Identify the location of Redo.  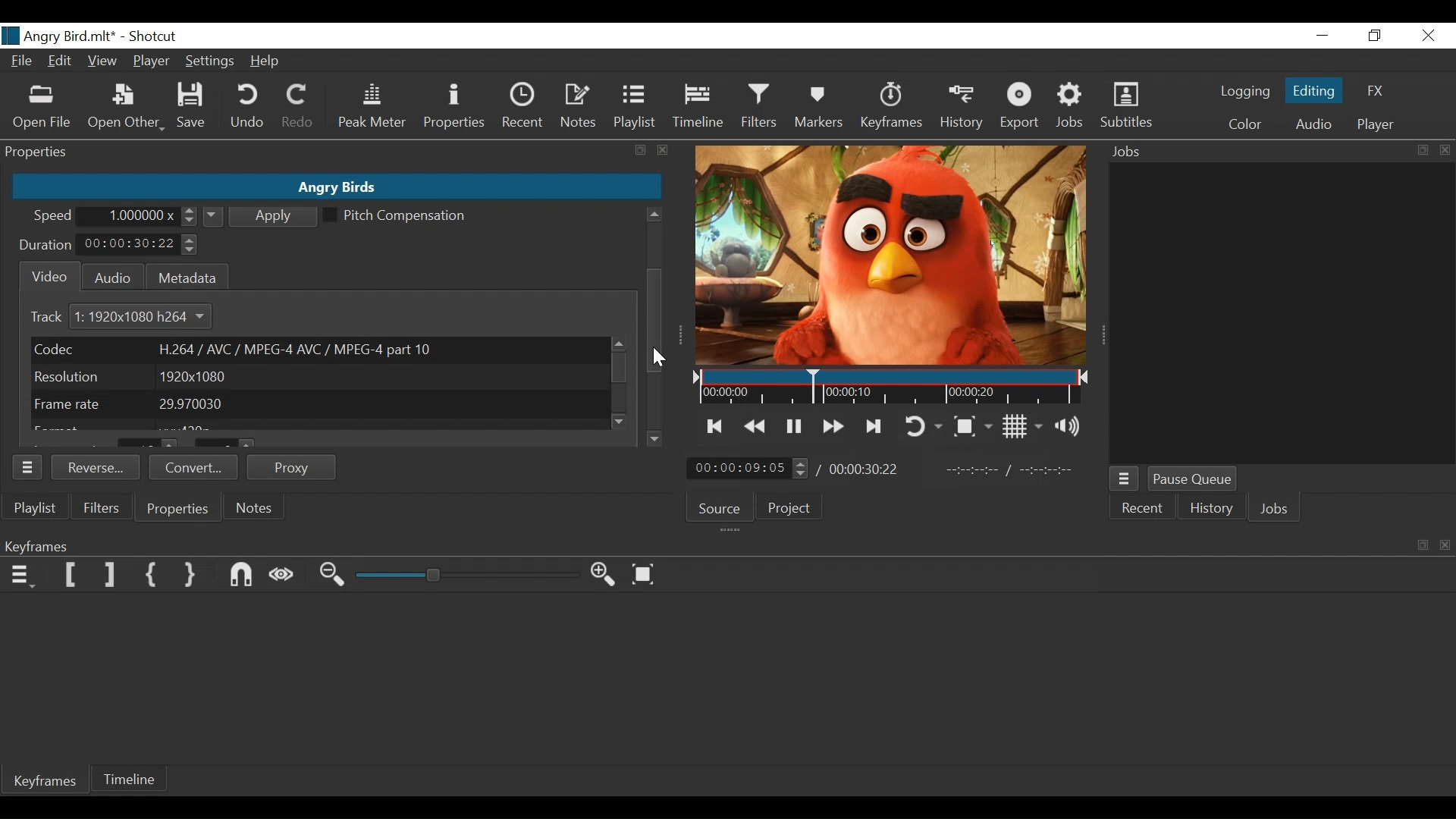
(298, 109).